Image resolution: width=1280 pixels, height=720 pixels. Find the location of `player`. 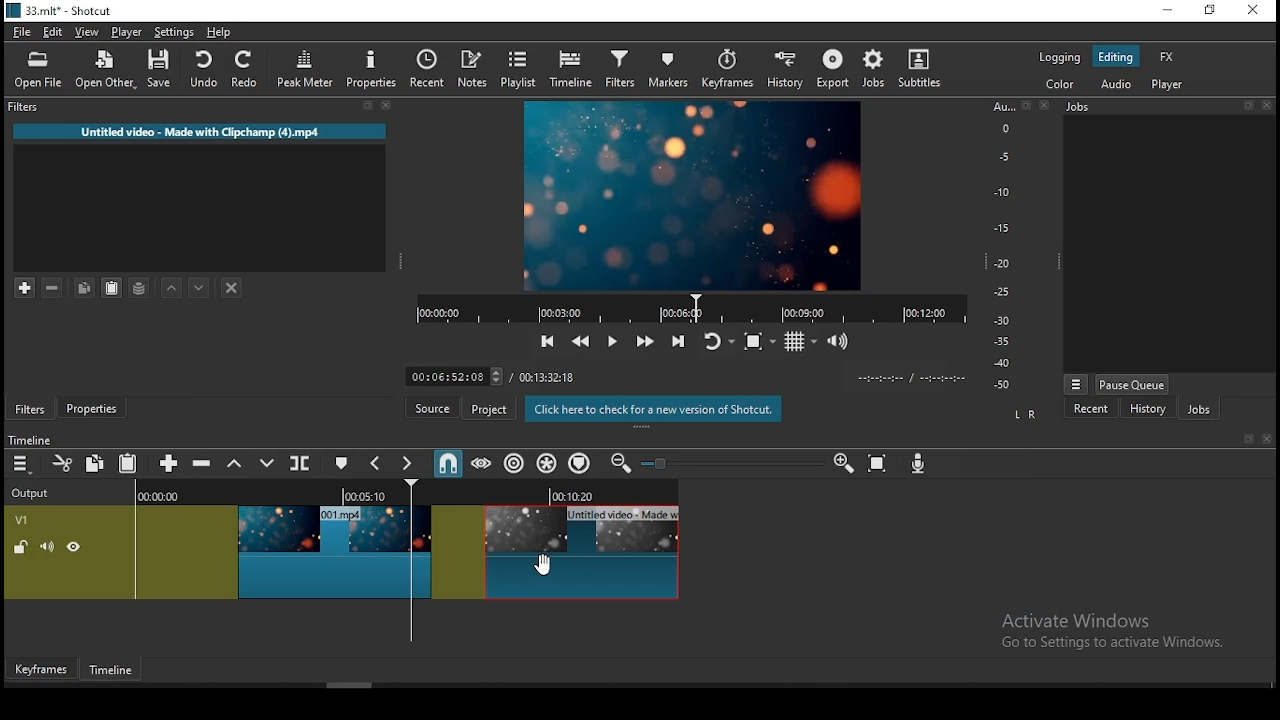

player is located at coordinates (127, 31).